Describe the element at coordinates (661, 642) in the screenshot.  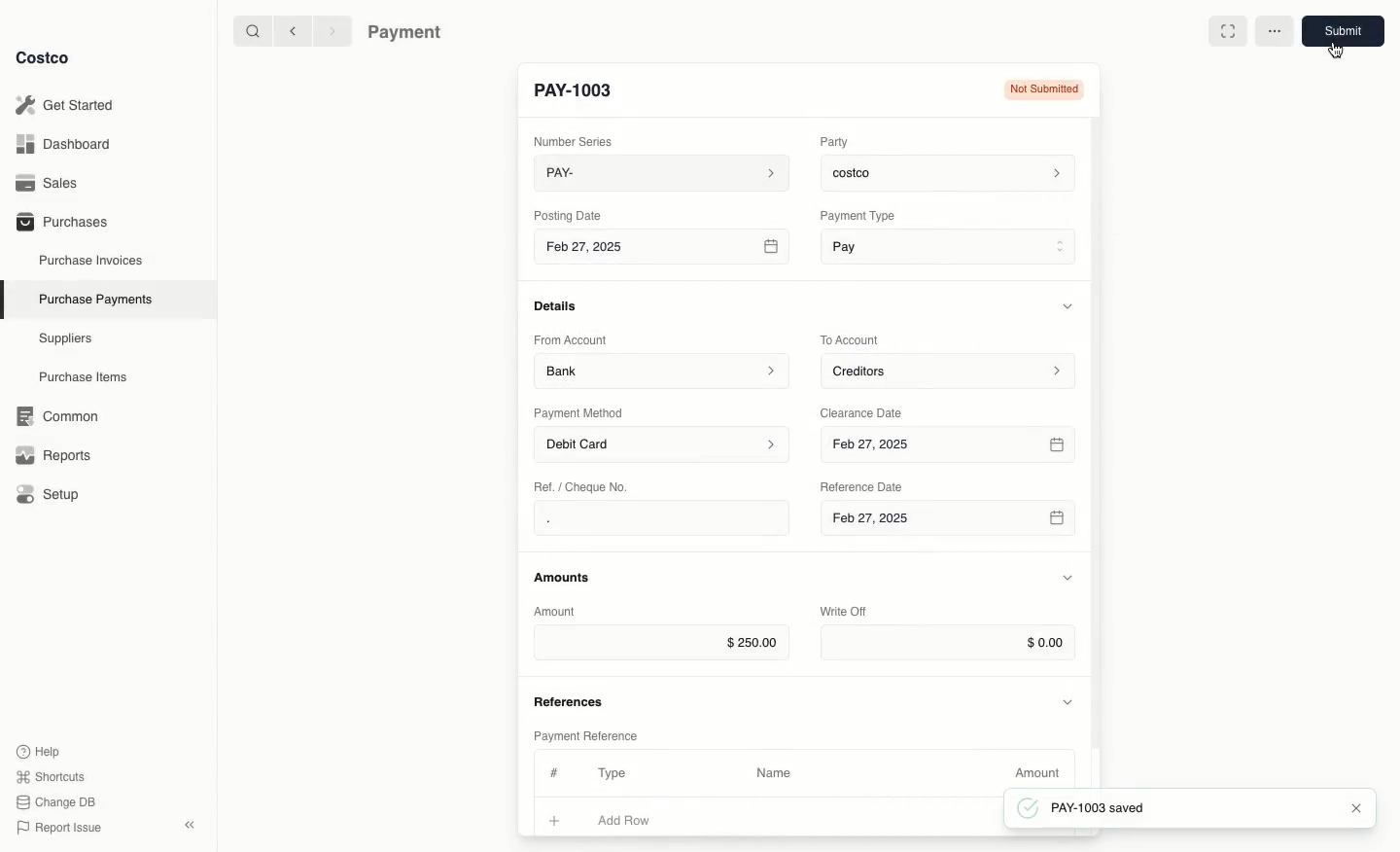
I see `$250.00` at that location.